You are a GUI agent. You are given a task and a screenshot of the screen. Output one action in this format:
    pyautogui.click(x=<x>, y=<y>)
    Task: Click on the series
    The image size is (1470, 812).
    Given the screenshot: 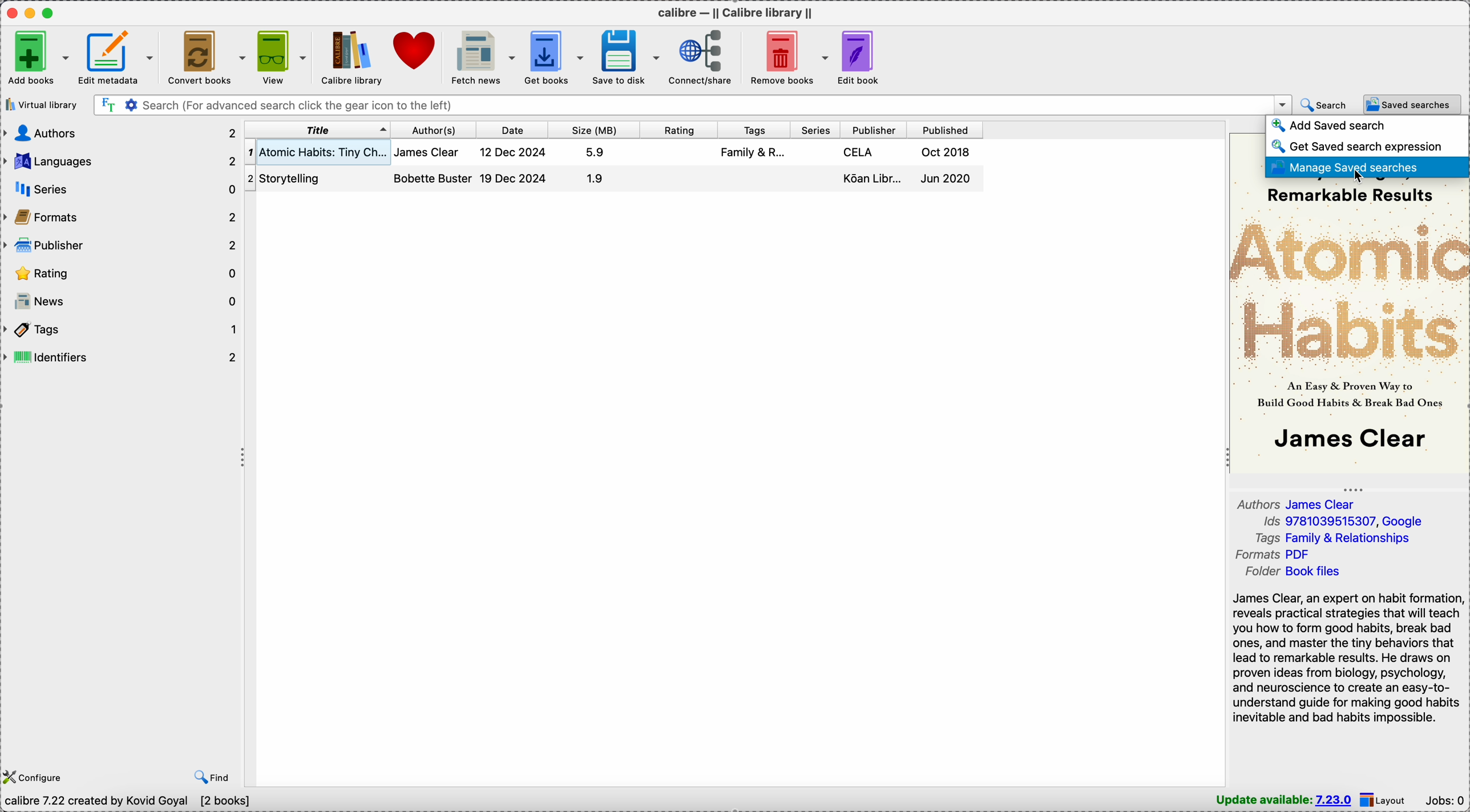 What is the action you would take?
    pyautogui.click(x=813, y=130)
    